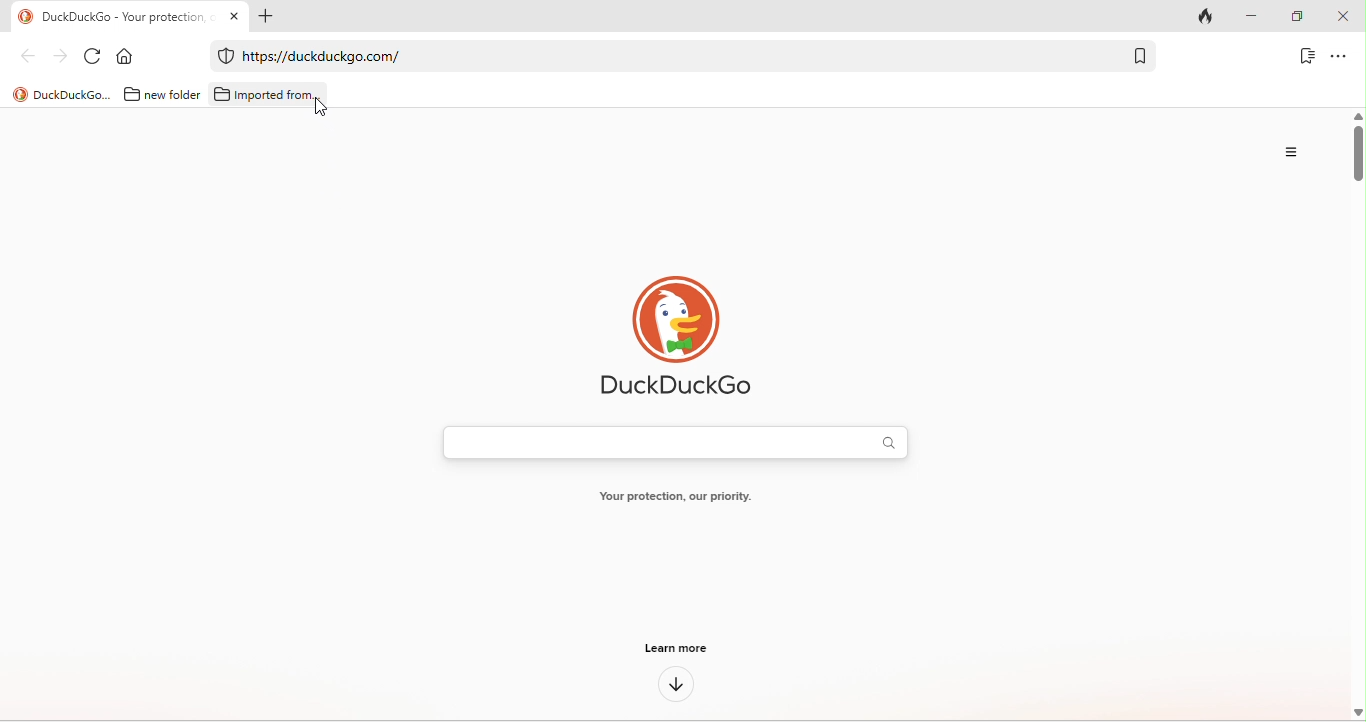 This screenshot has height=722, width=1366. What do you see at coordinates (677, 651) in the screenshot?
I see `learn more` at bounding box center [677, 651].